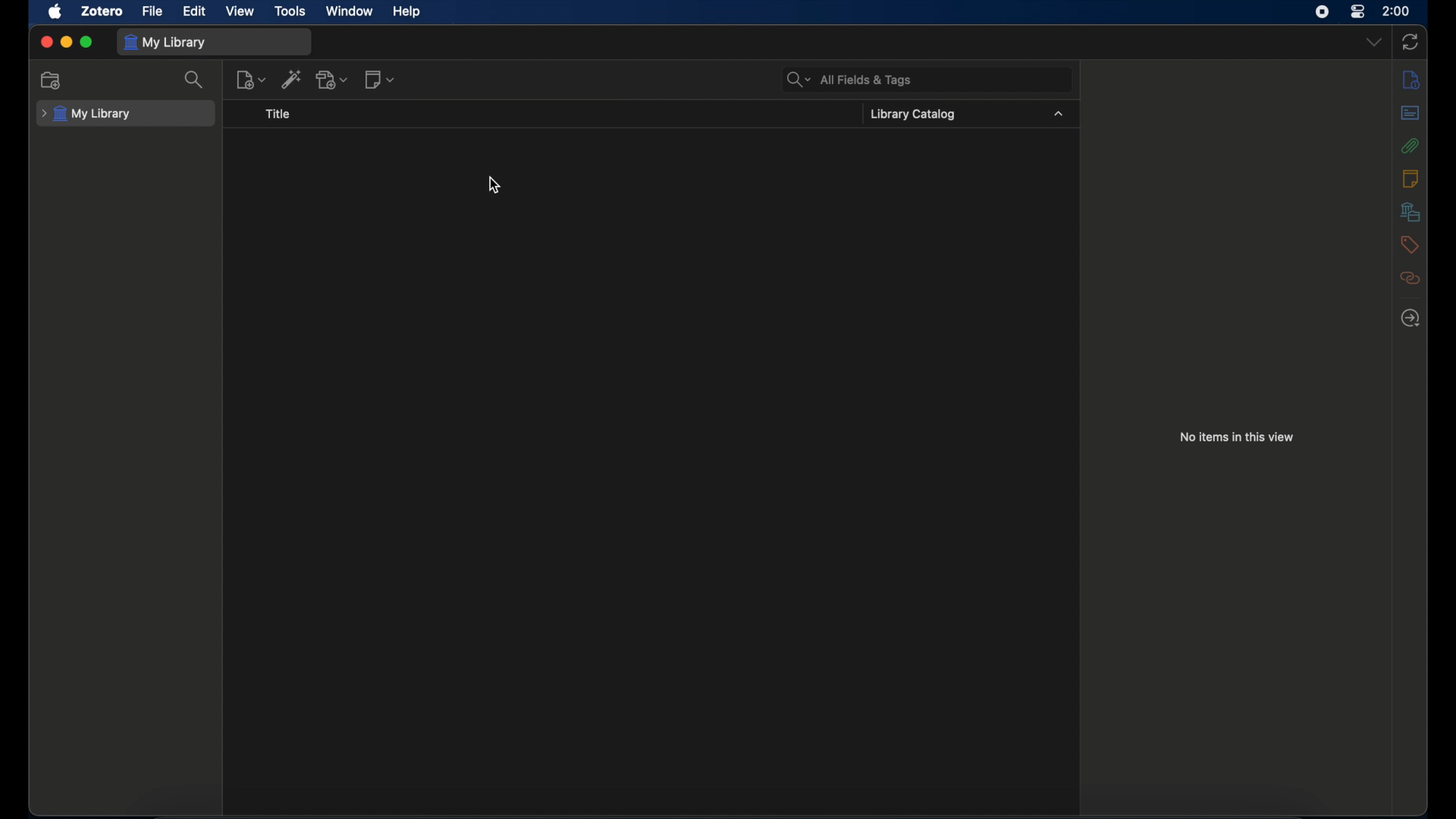  What do you see at coordinates (86, 115) in the screenshot?
I see `my library` at bounding box center [86, 115].